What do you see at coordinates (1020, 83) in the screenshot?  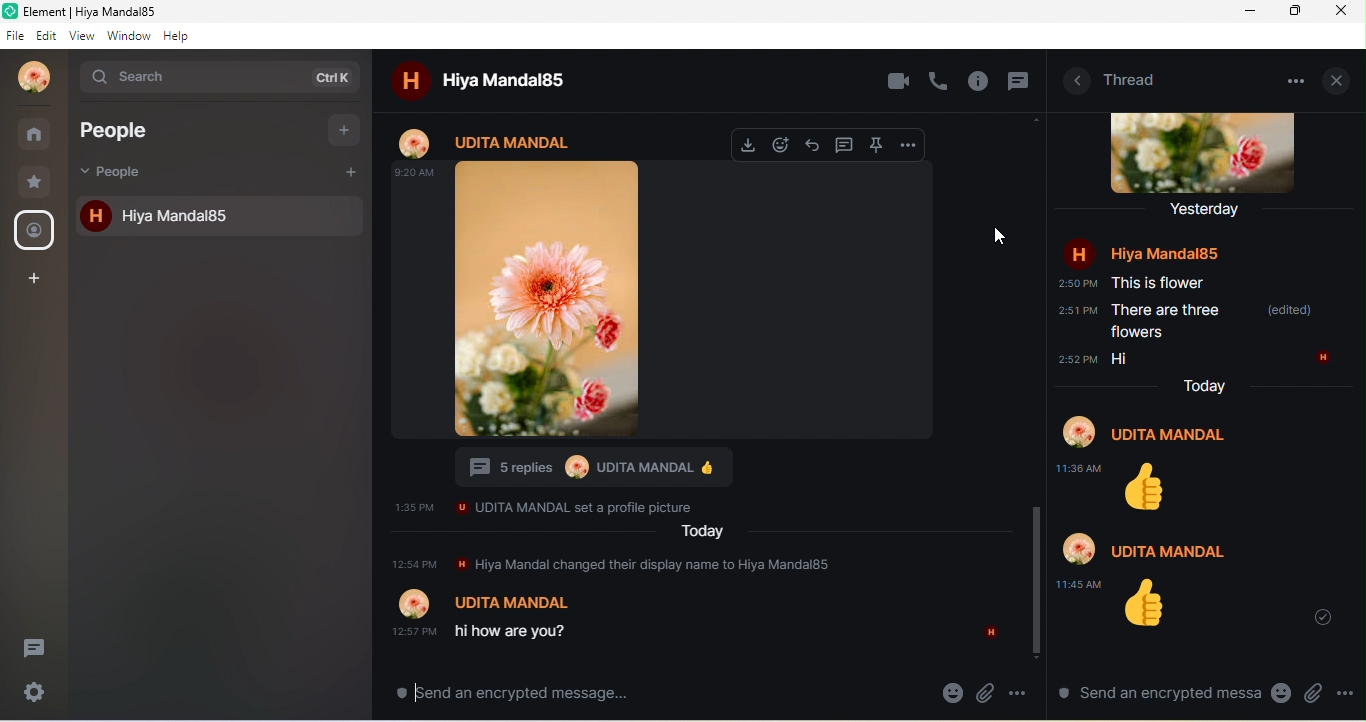 I see `thread` at bounding box center [1020, 83].